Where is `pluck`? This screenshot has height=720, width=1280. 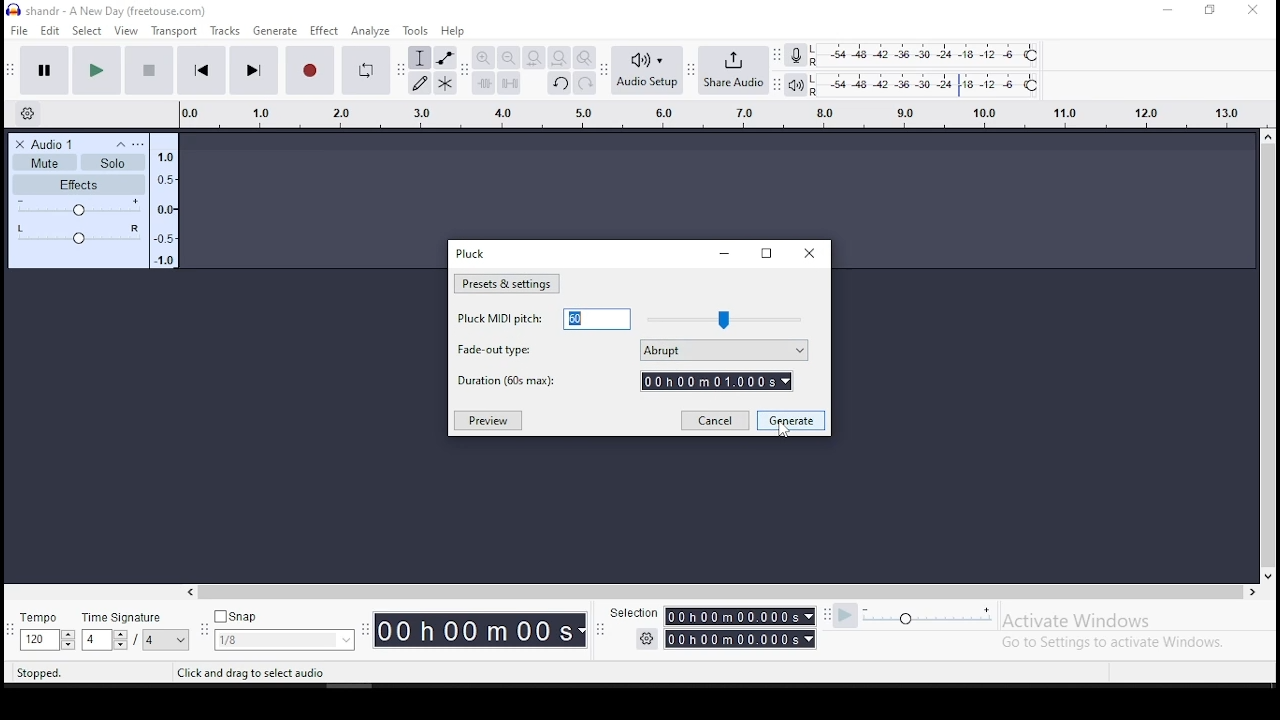 pluck is located at coordinates (472, 253).